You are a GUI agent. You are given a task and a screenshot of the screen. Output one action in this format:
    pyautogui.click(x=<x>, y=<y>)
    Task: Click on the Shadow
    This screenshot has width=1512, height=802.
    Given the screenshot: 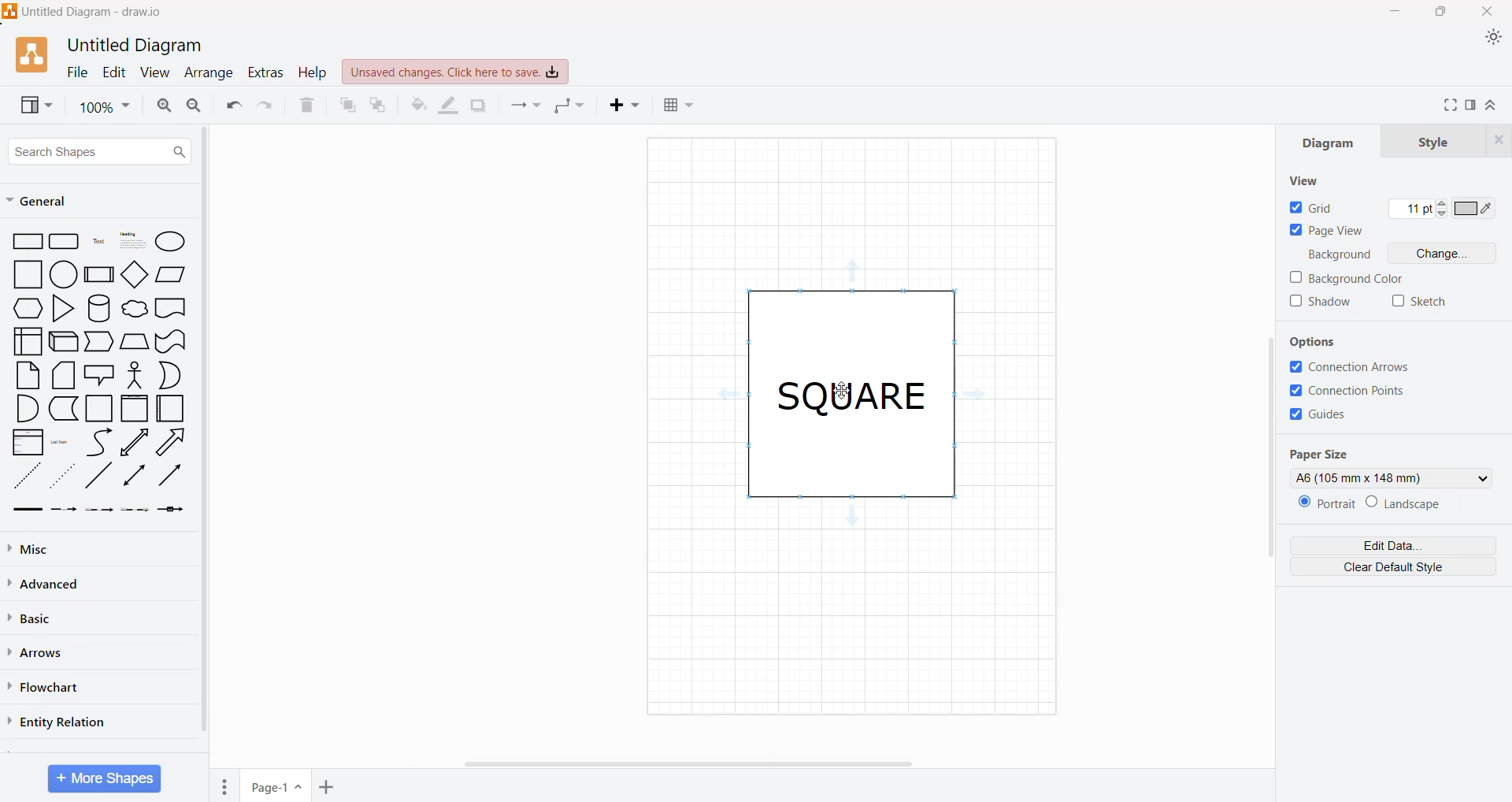 What is the action you would take?
    pyautogui.click(x=480, y=106)
    